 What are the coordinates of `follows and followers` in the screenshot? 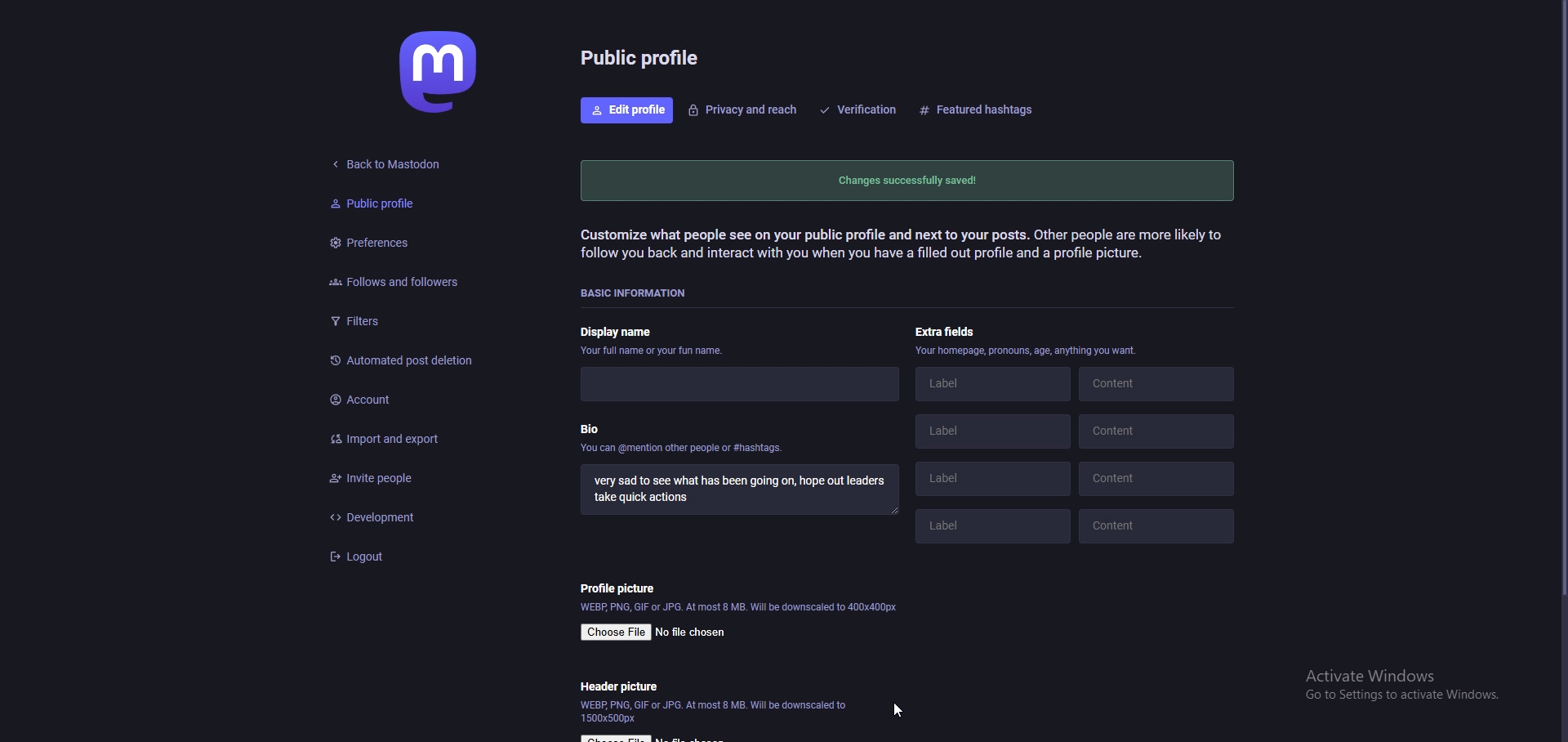 It's located at (412, 279).